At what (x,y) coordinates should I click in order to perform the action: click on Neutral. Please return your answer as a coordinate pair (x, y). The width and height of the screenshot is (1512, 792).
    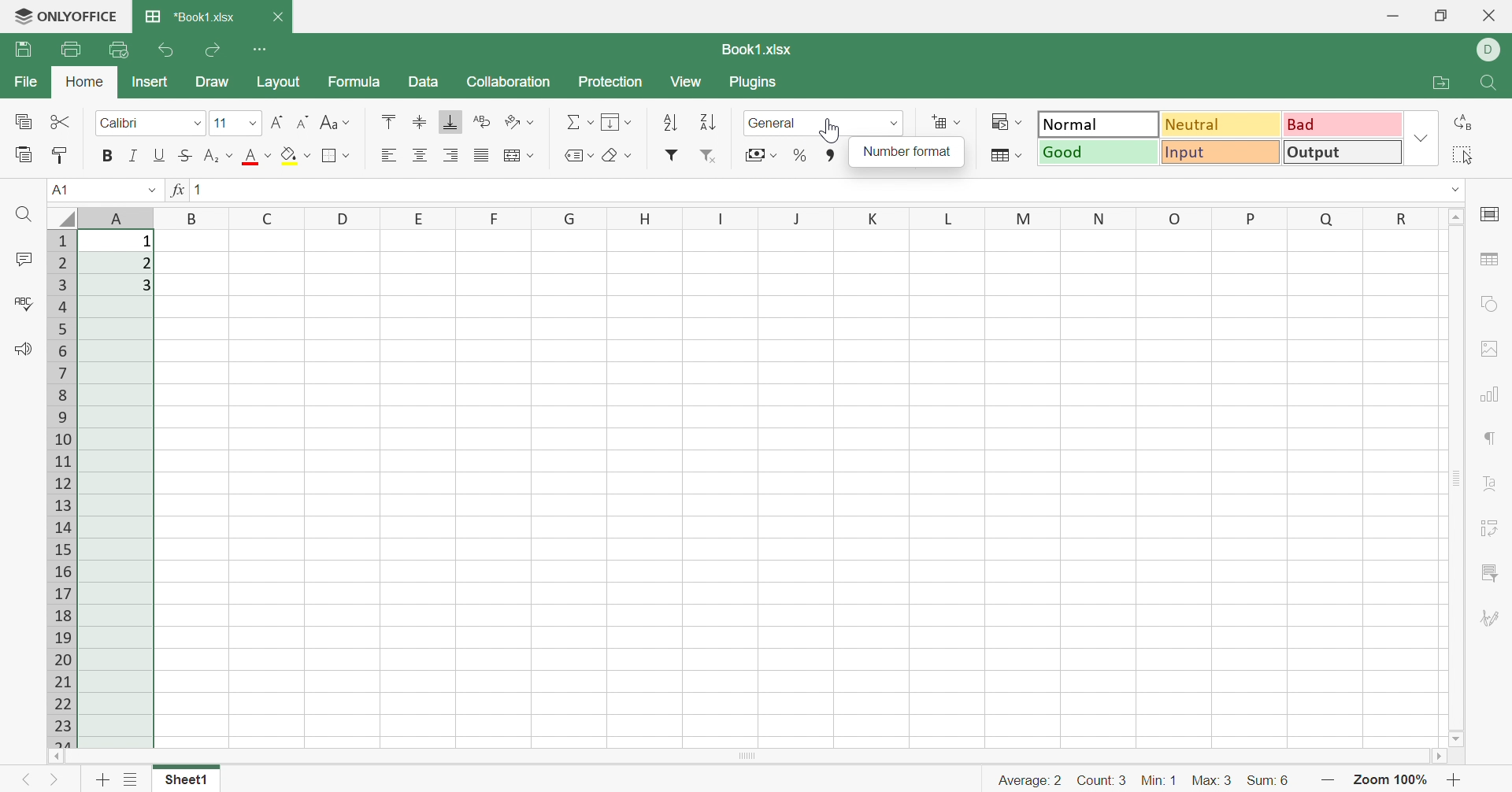
    Looking at the image, I should click on (1222, 126).